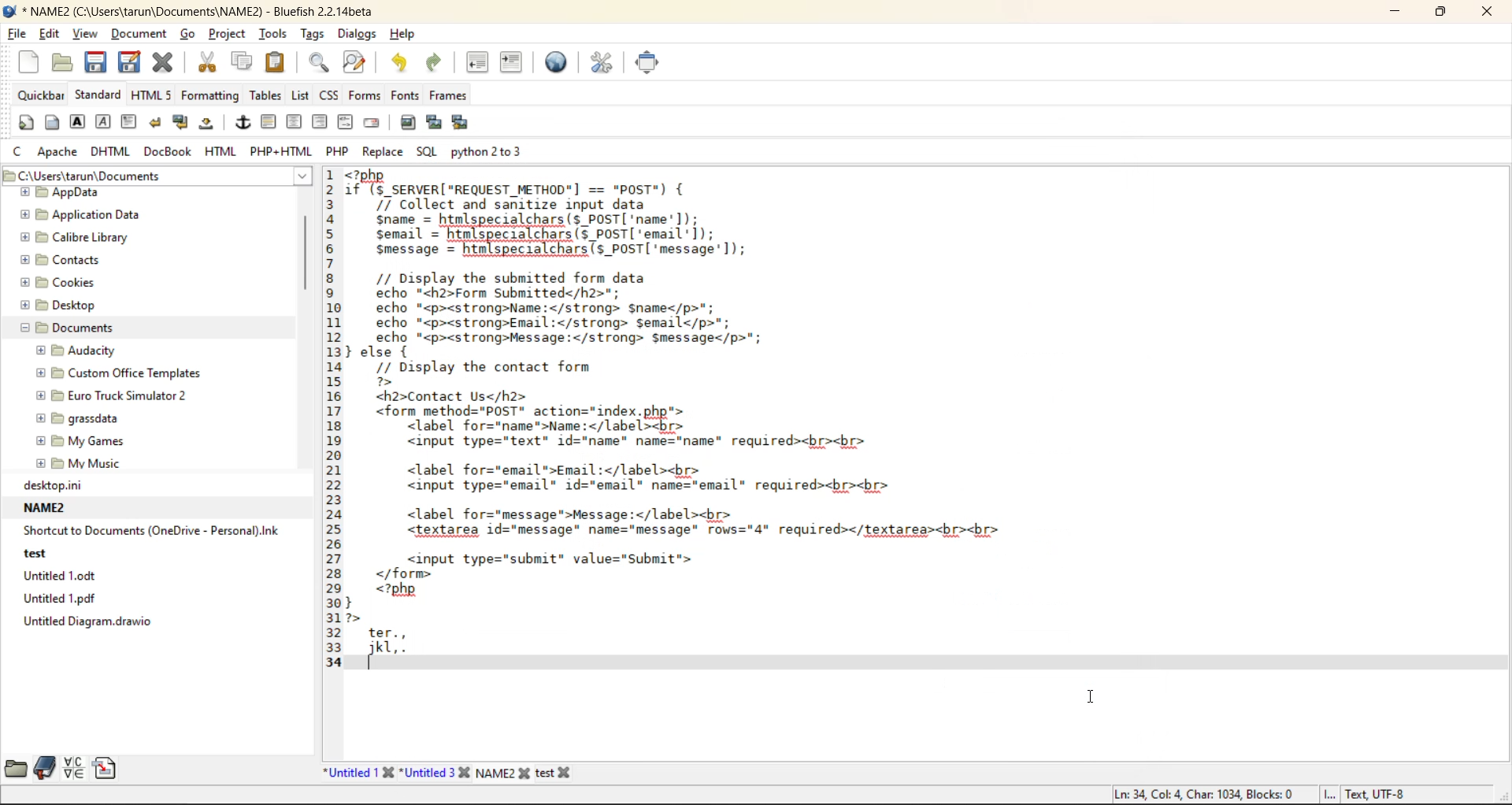 This screenshot has height=805, width=1512. Describe the element at coordinates (340, 150) in the screenshot. I see `php` at that location.